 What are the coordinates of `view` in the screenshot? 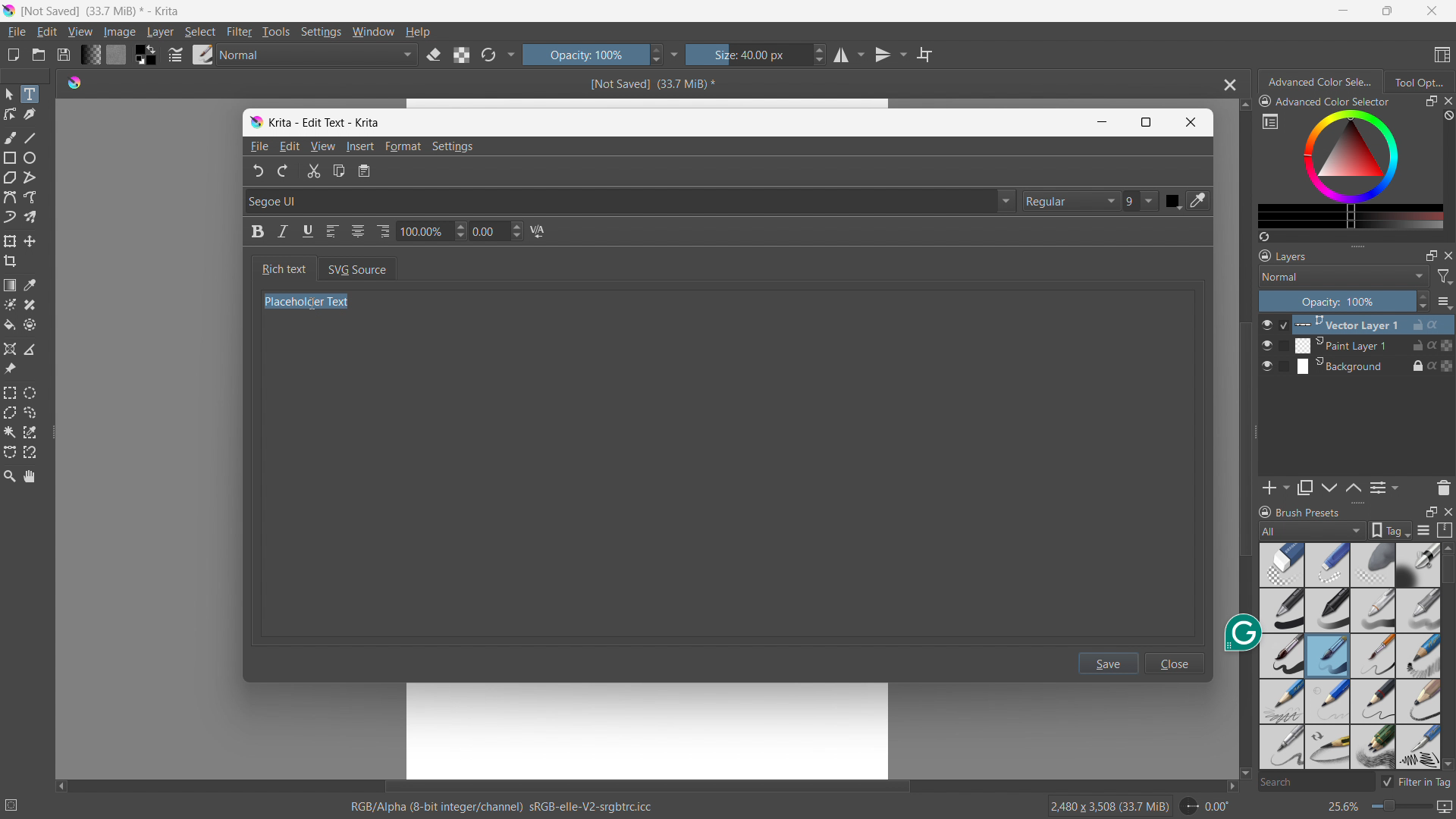 It's located at (322, 146).